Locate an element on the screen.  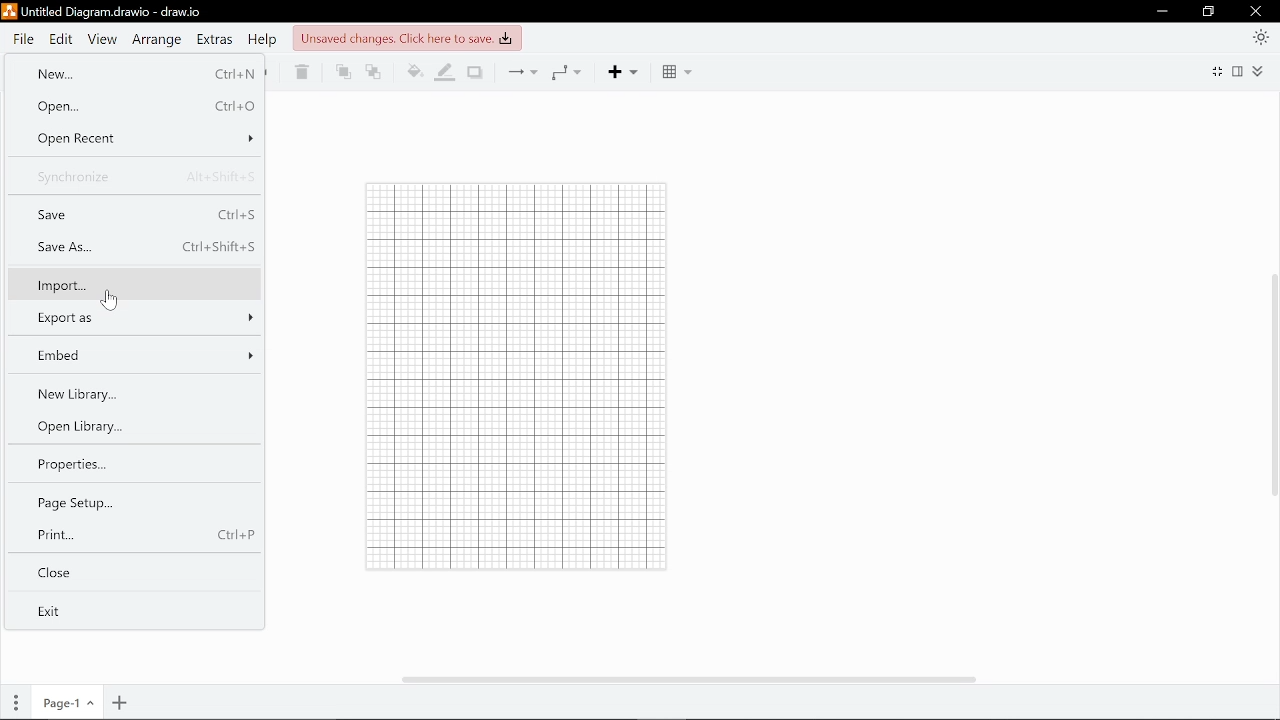
print is located at coordinates (130, 534).